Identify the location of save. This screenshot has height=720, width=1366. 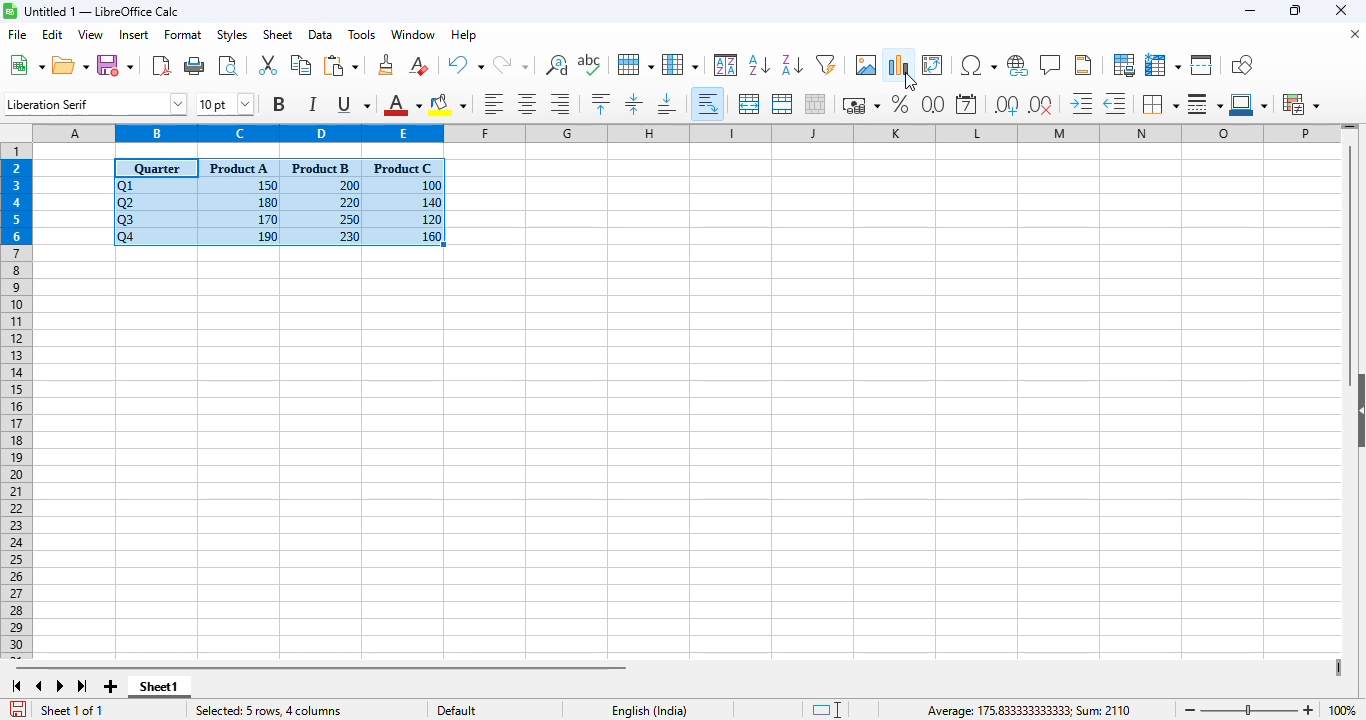
(115, 66).